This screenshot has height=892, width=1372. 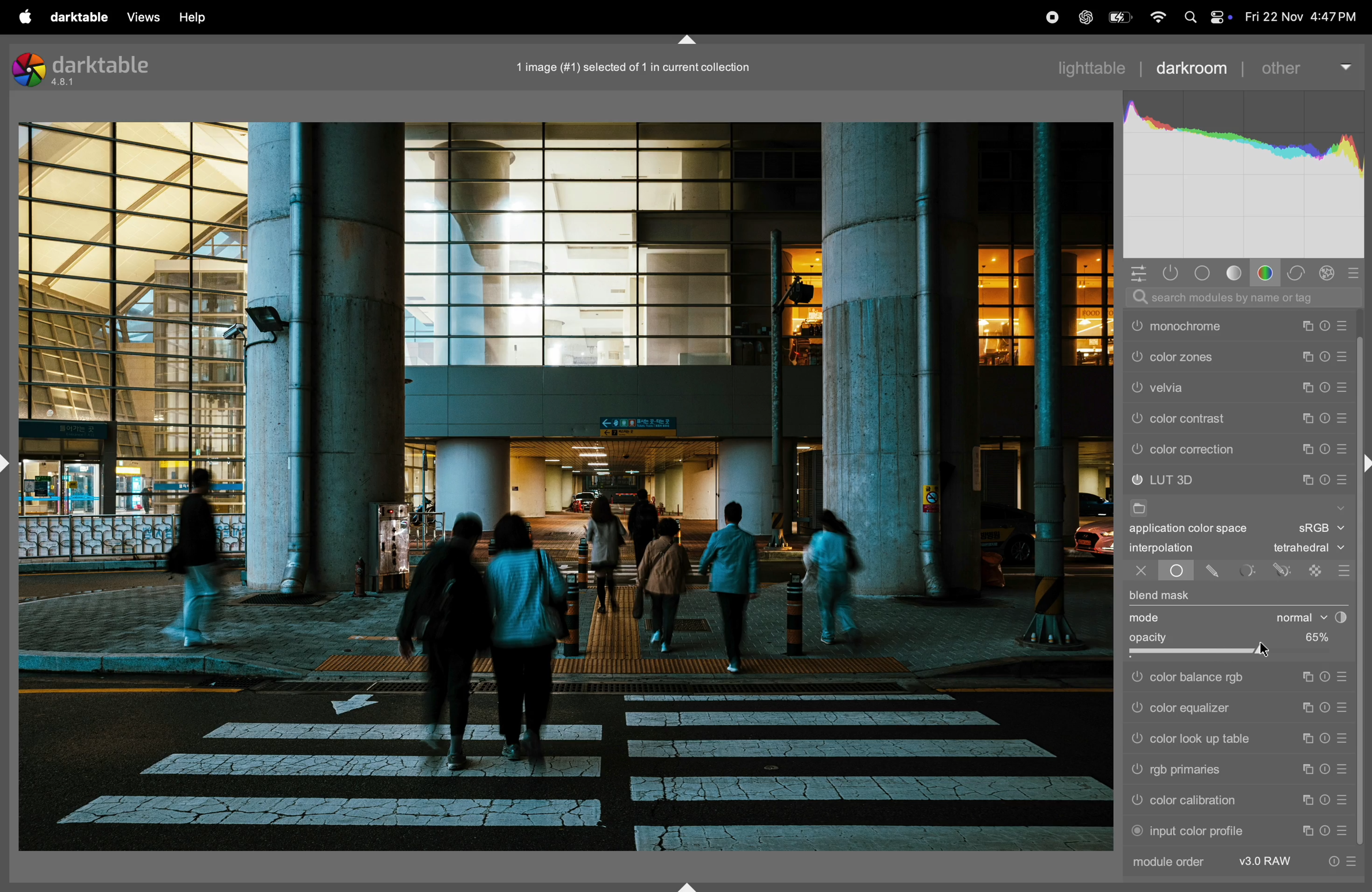 I want to click on base, so click(x=1205, y=274).